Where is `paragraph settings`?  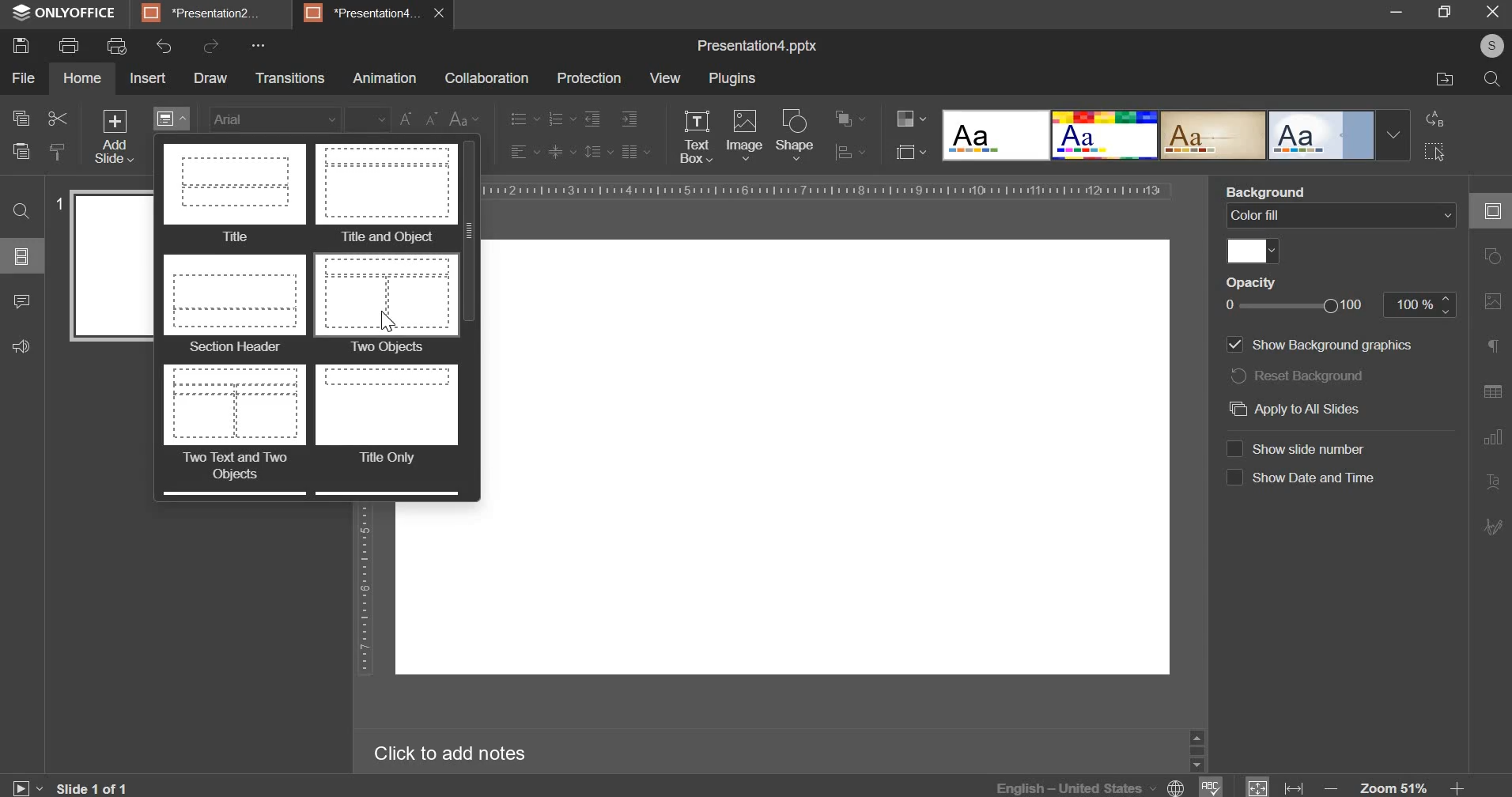 paragraph settings is located at coordinates (1491, 346).